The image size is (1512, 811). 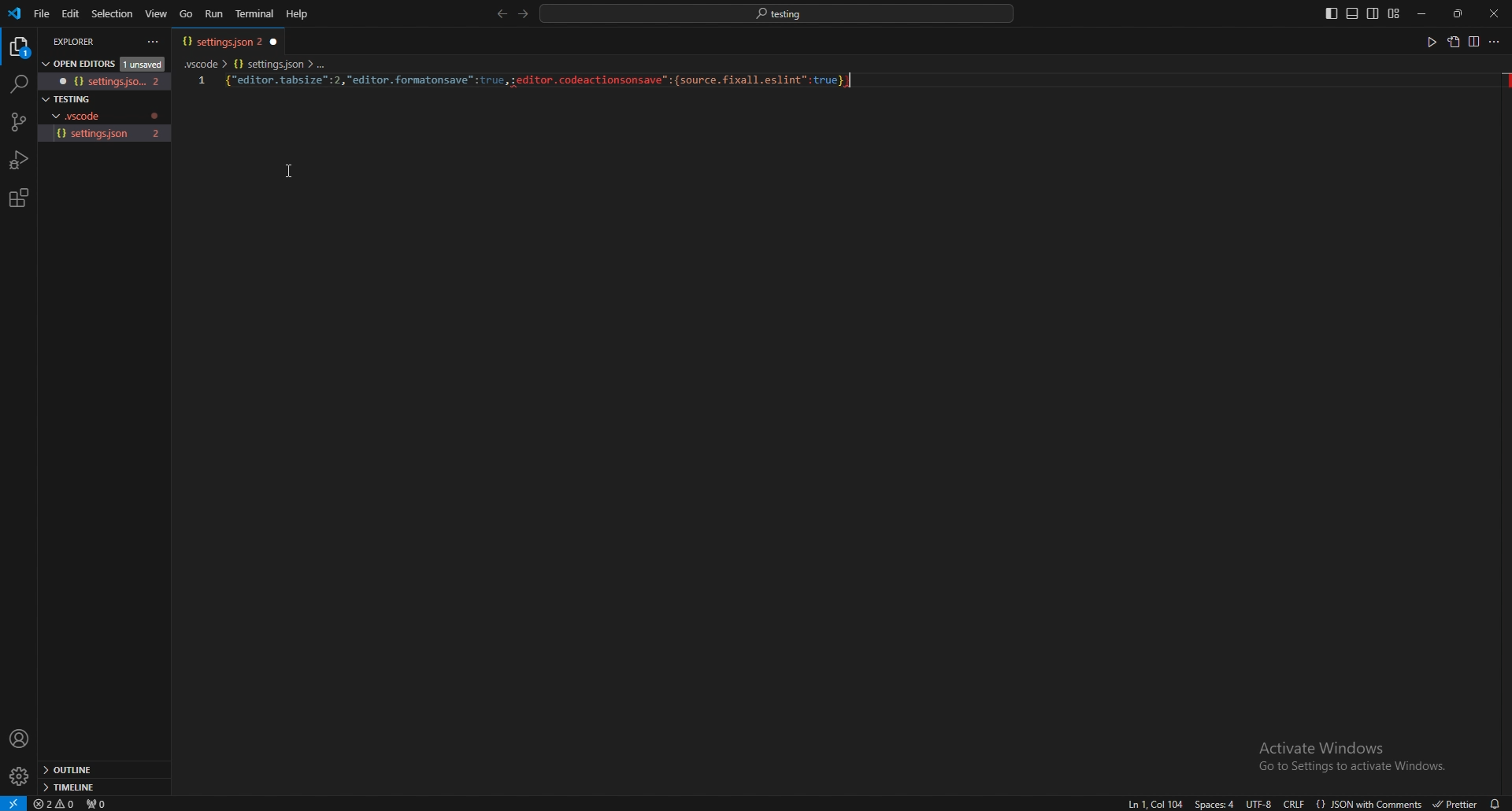 What do you see at coordinates (99, 787) in the screenshot?
I see `timeline` at bounding box center [99, 787].